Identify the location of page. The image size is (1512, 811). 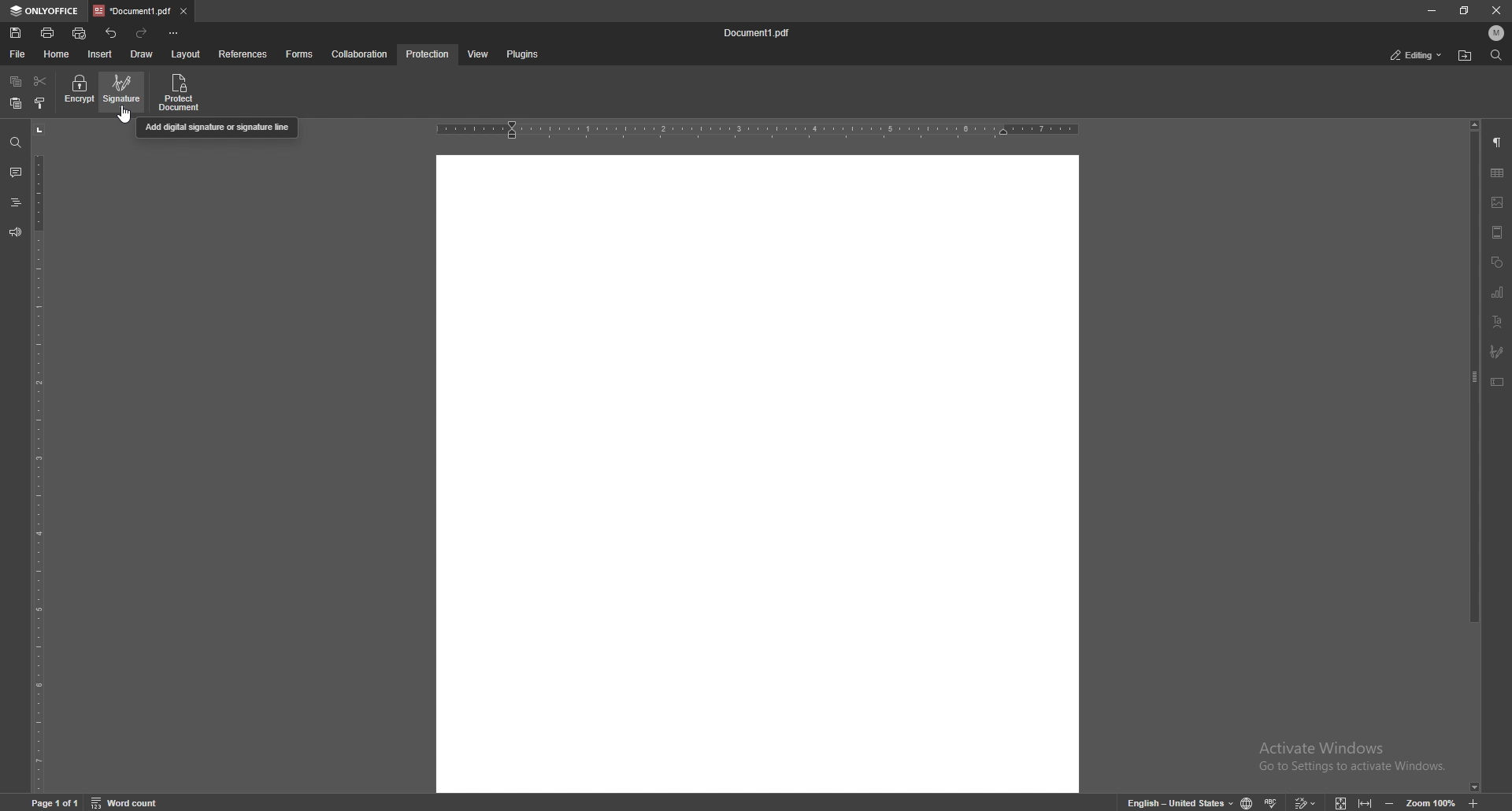
(57, 802).